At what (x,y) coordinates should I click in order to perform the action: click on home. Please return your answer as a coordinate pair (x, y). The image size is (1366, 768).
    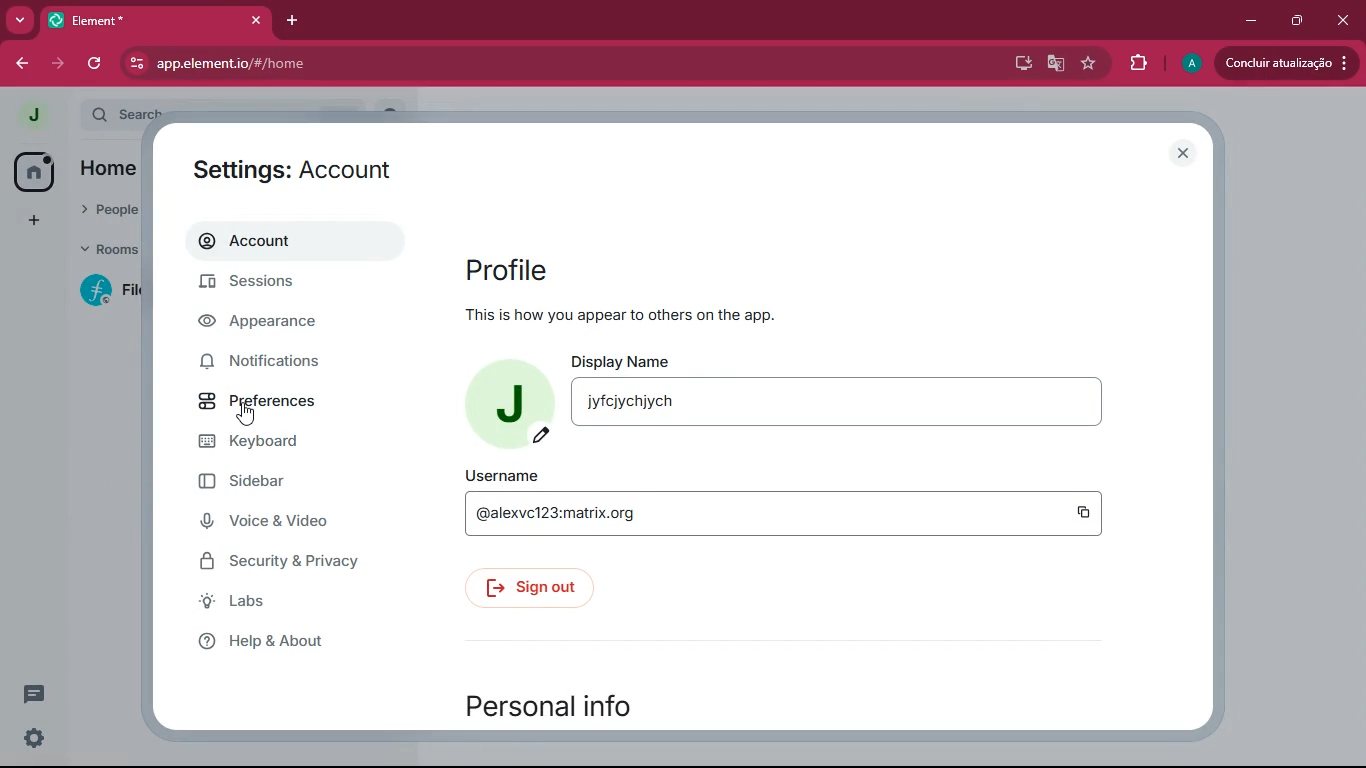
    Looking at the image, I should click on (107, 171).